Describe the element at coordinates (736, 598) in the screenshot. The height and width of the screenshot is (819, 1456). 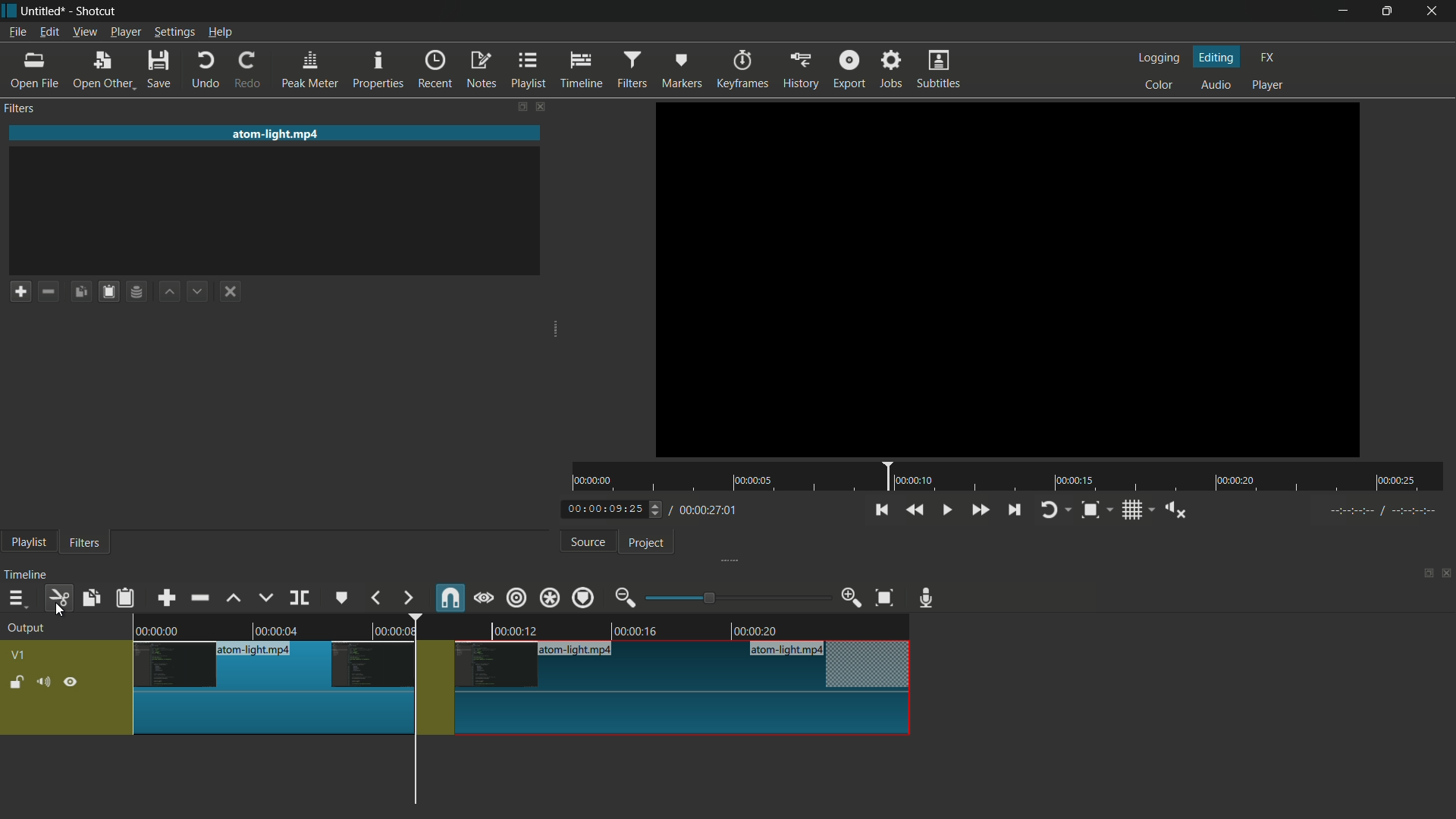
I see `adjustment bar` at that location.